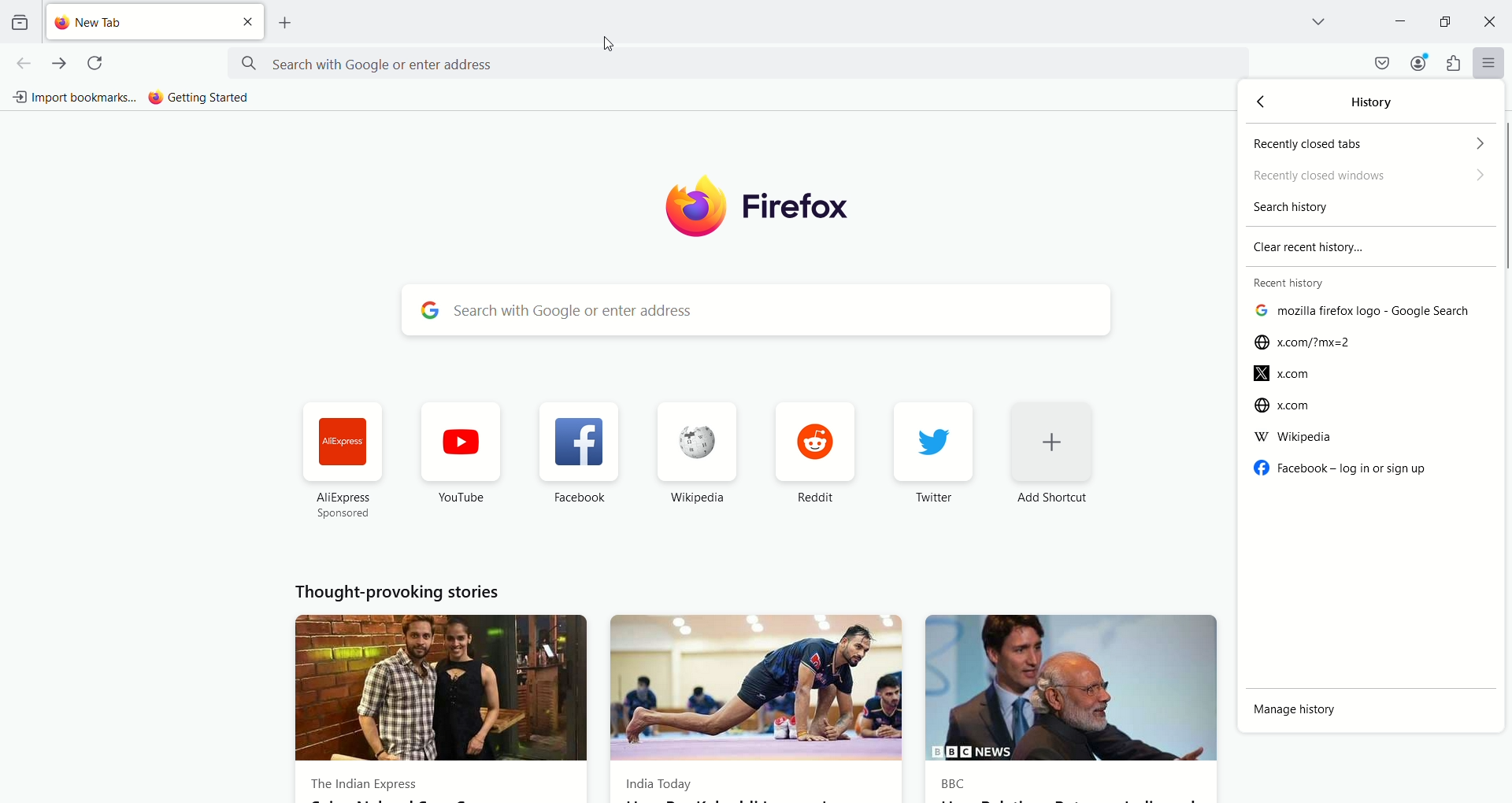 This screenshot has width=1512, height=803. Describe the element at coordinates (1372, 179) in the screenshot. I see `recently closed windows` at that location.